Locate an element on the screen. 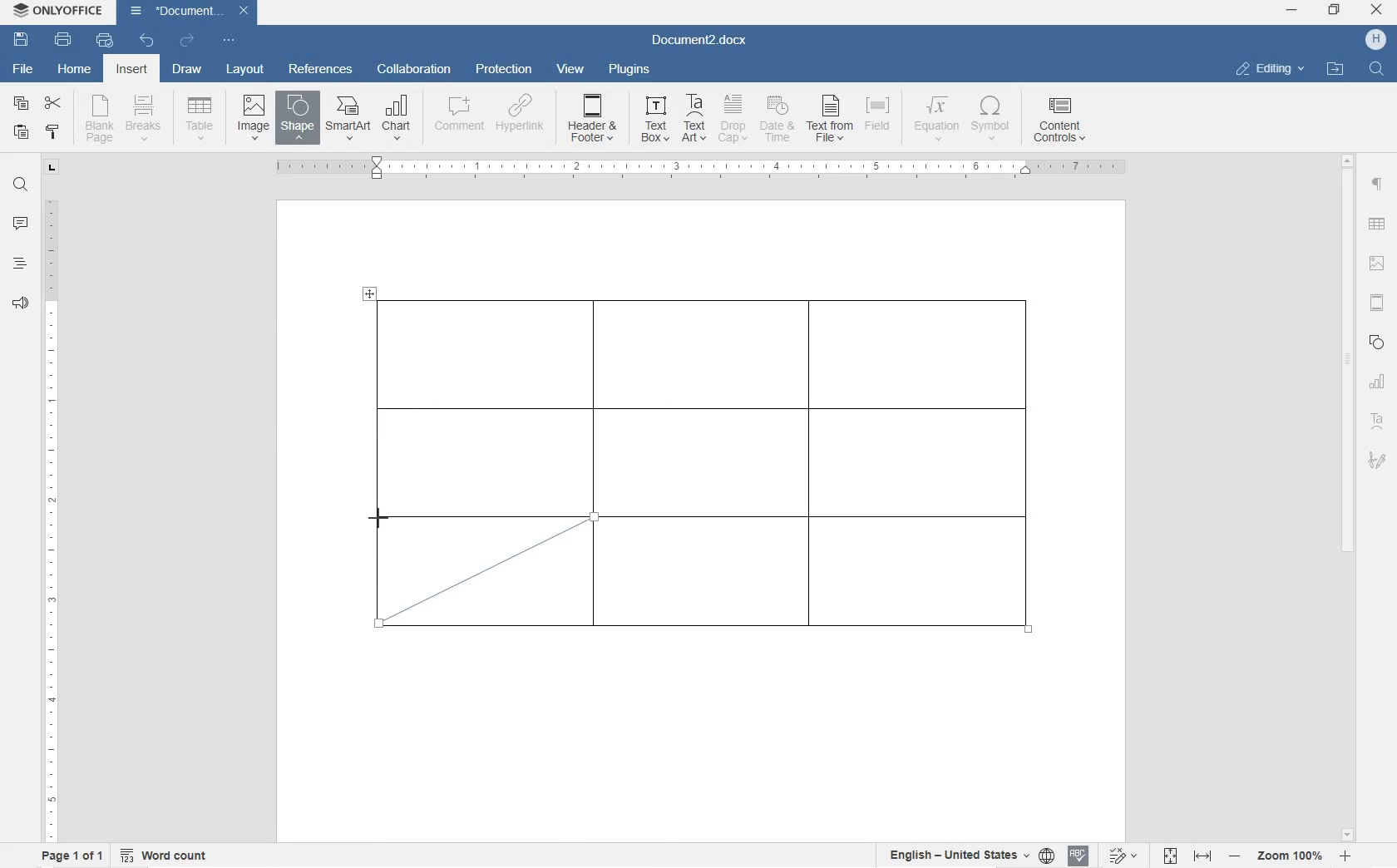 This screenshot has width=1397, height=868. references is located at coordinates (320, 69).